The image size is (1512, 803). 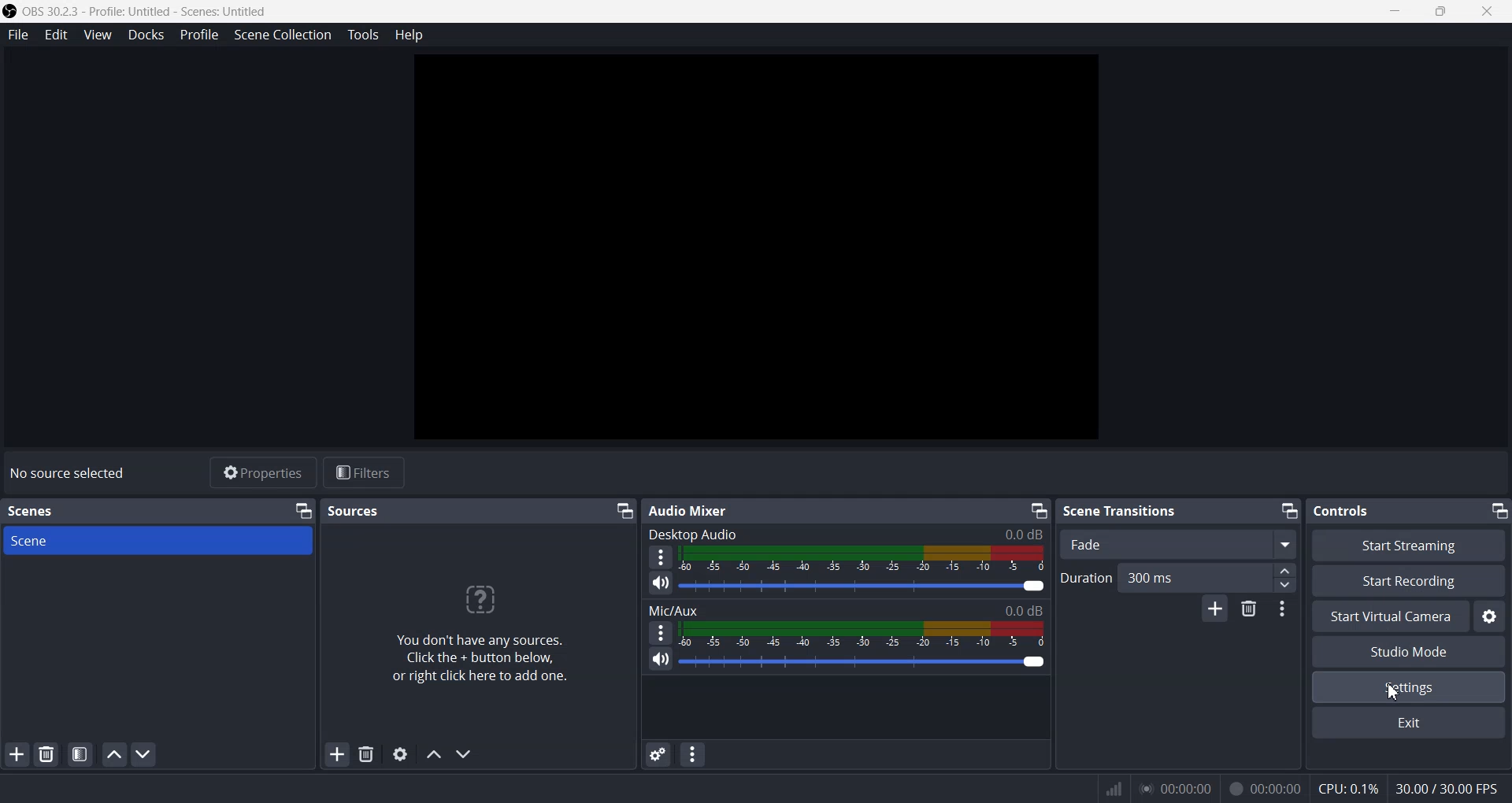 I want to click on Mix/Aux 0.0 dB, so click(x=846, y=608).